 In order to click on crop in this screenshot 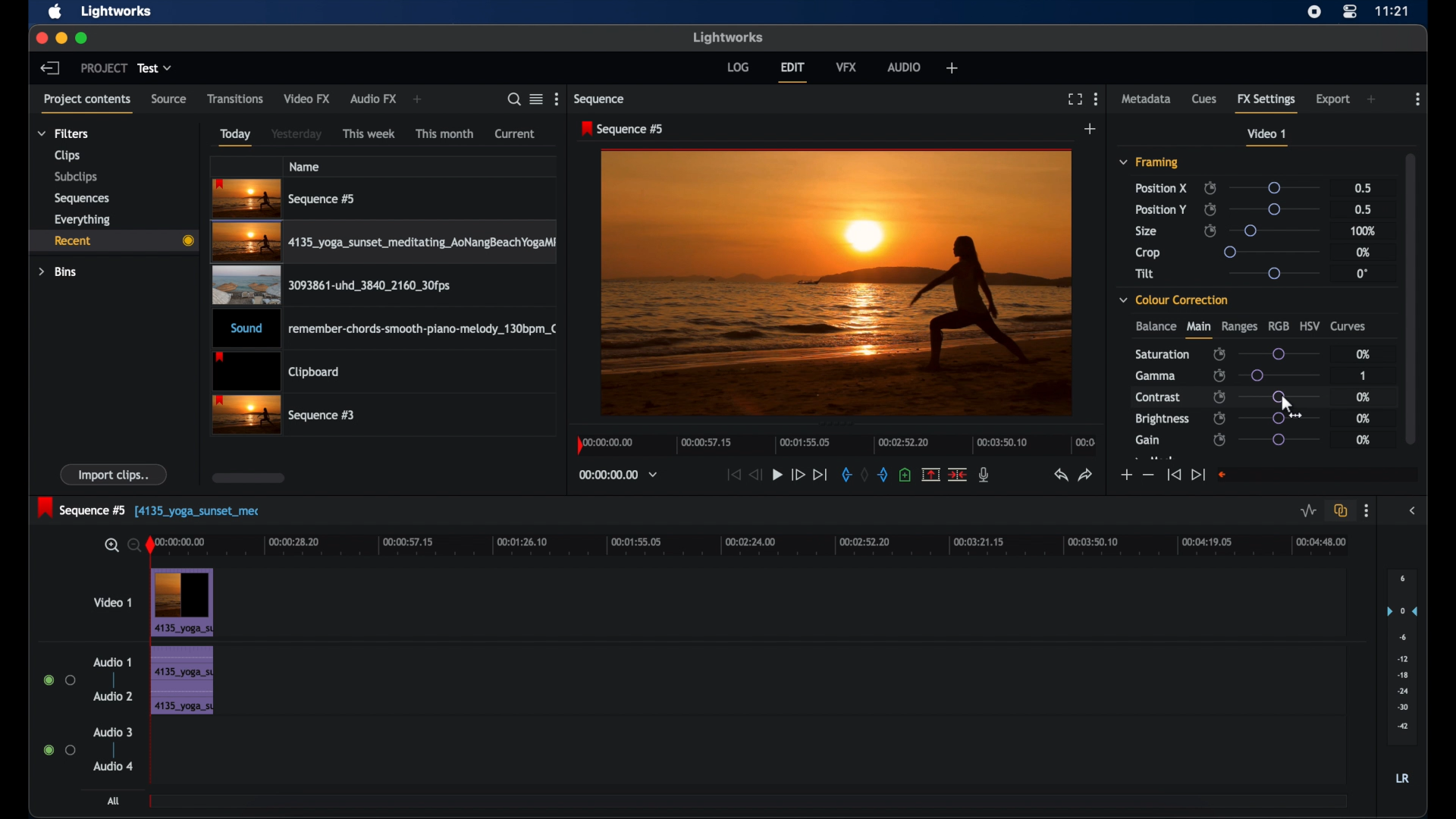, I will do `click(1148, 253)`.